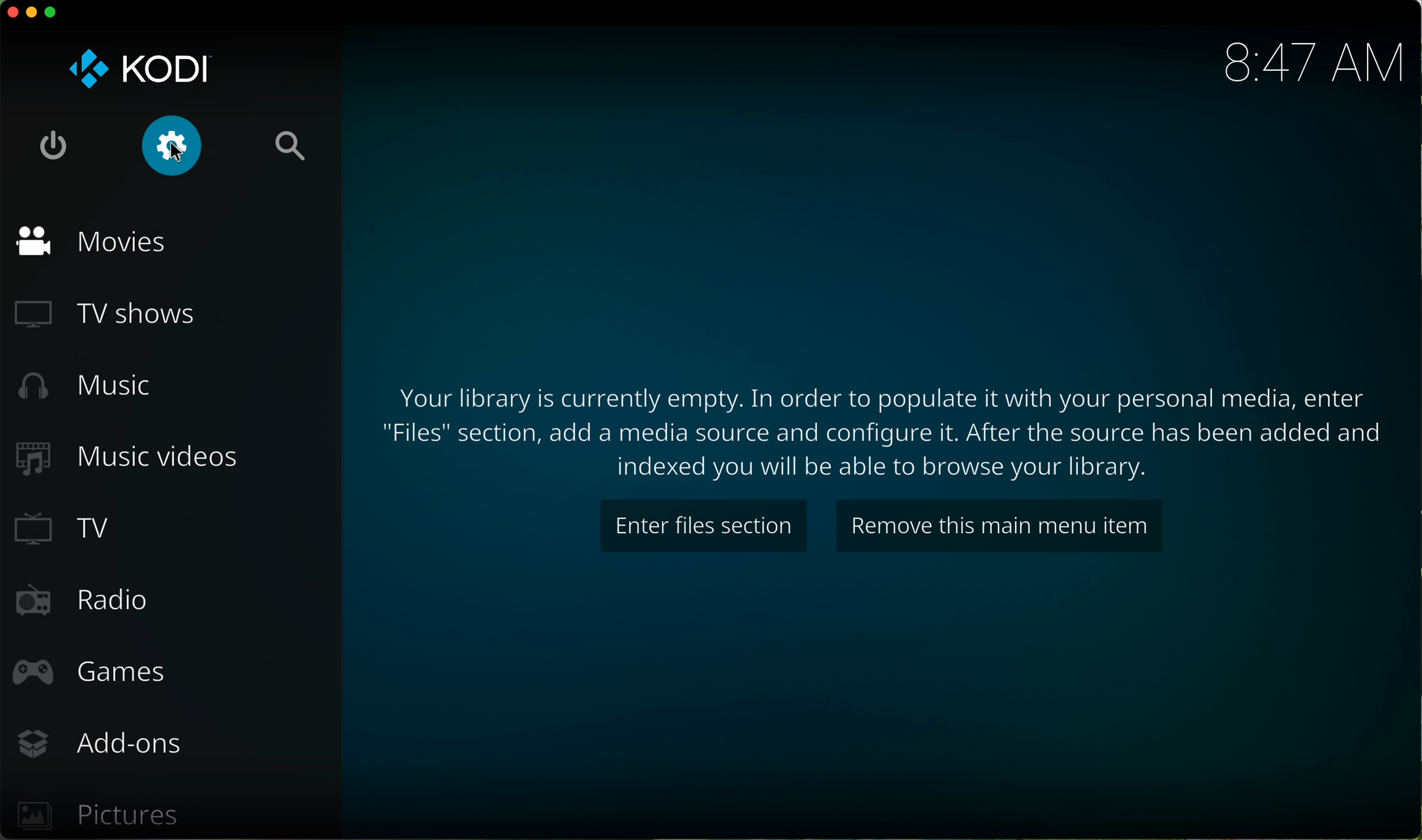 The image size is (1422, 840). What do you see at coordinates (135, 462) in the screenshot?
I see `music videos` at bounding box center [135, 462].